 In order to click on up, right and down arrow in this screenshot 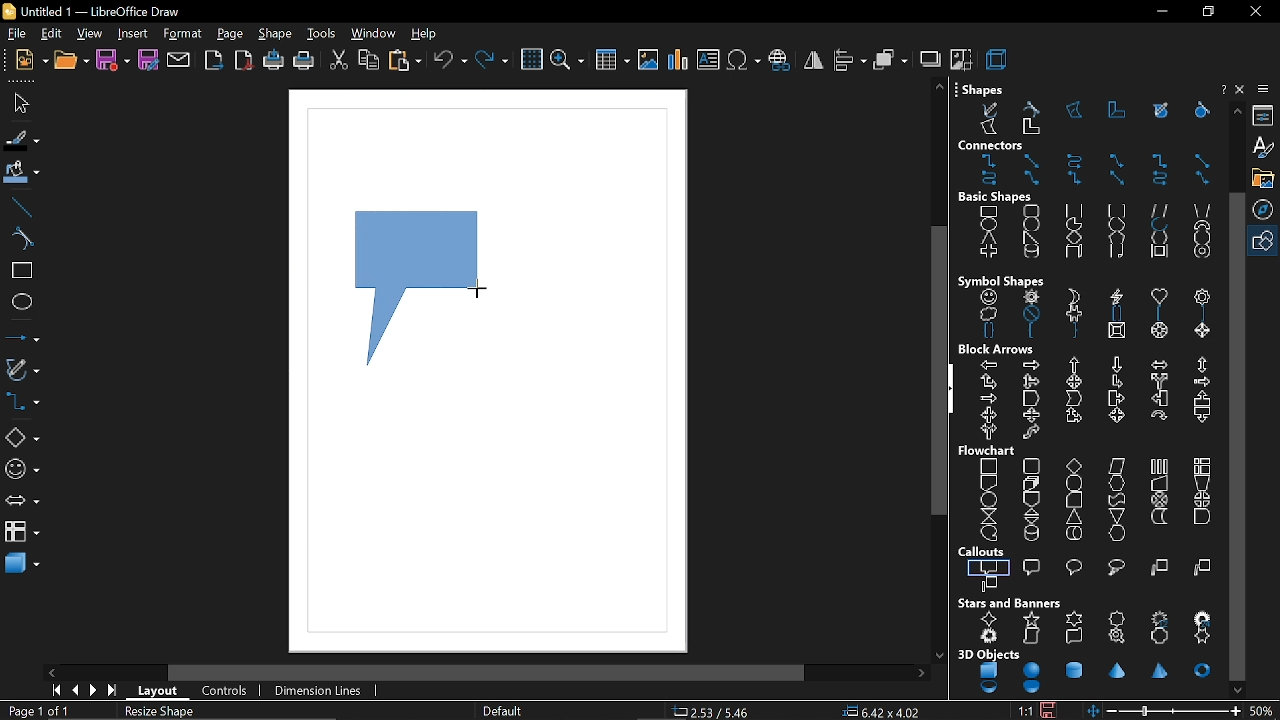, I will do `click(1030, 381)`.